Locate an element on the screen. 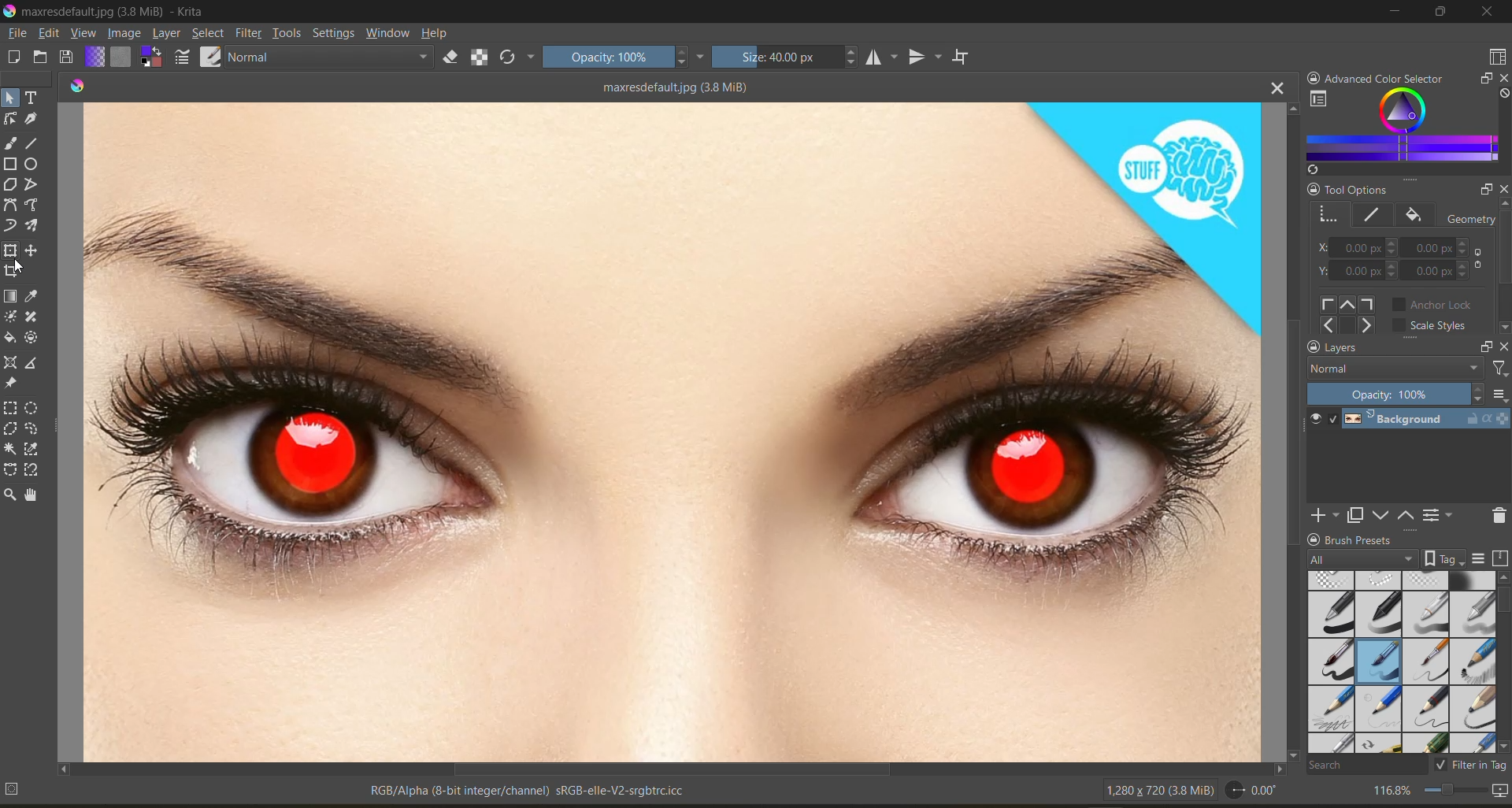 This screenshot has width=1512, height=808. set eraser mode is located at coordinates (458, 58).